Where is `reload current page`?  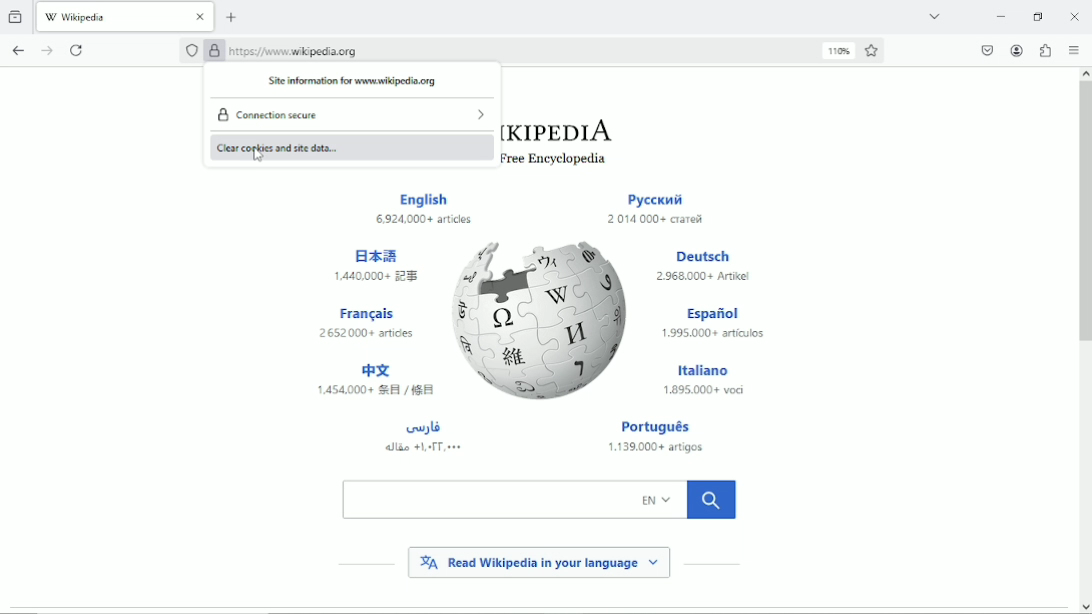 reload current page is located at coordinates (79, 49).